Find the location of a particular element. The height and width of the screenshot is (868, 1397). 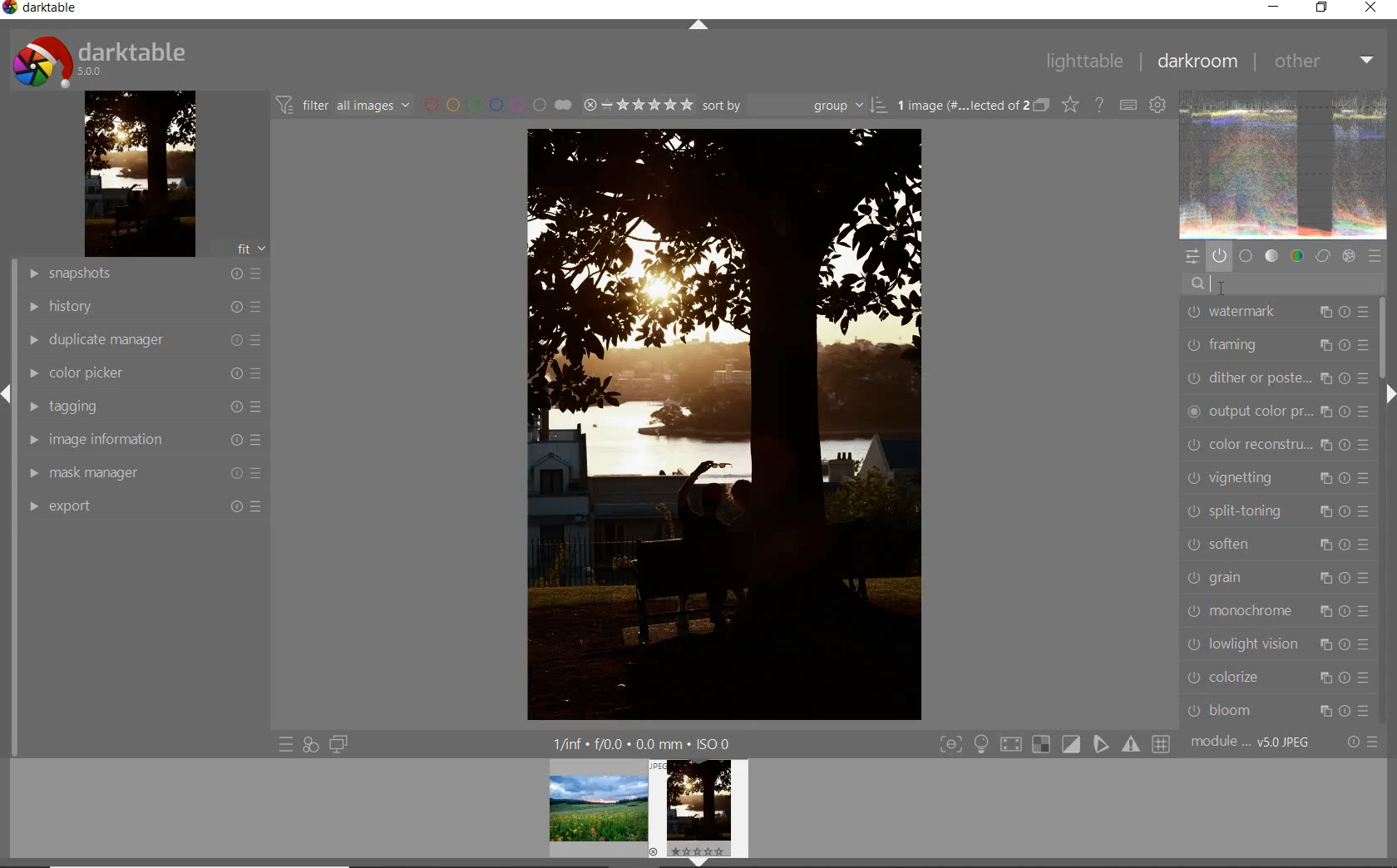

history is located at coordinates (140, 307).